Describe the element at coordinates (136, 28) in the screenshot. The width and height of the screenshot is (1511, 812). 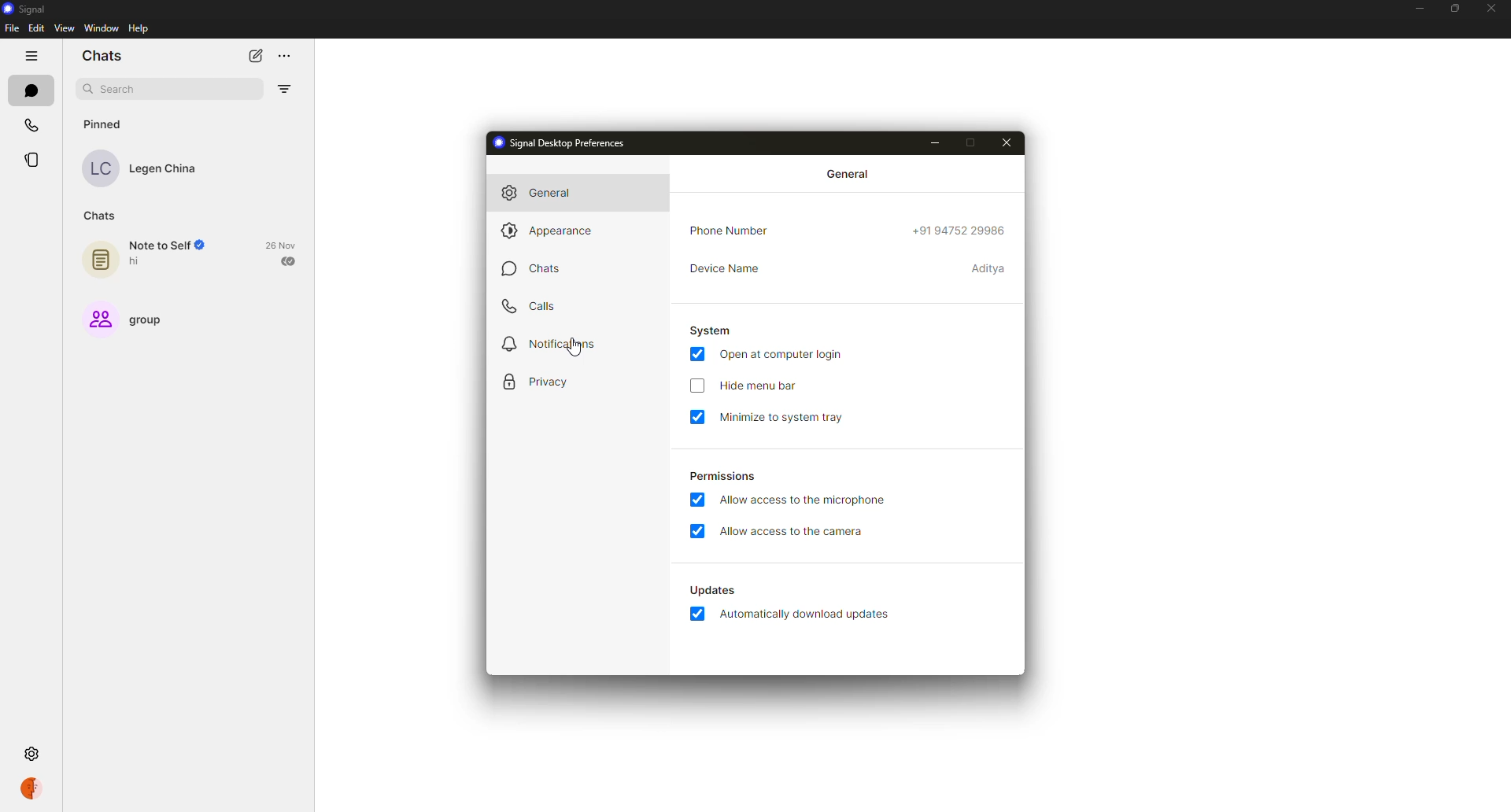
I see `help` at that location.